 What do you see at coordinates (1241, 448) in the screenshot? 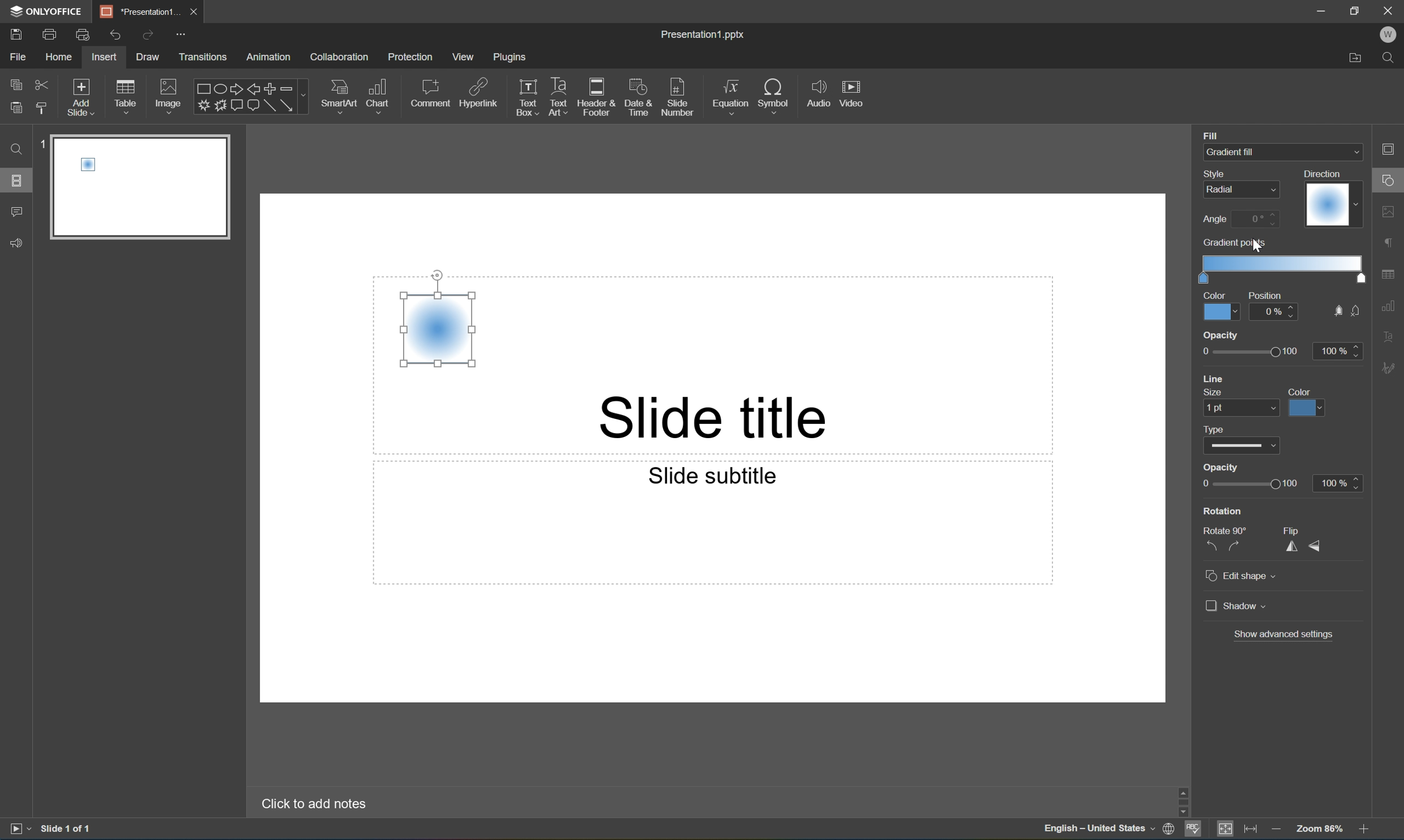
I see `Type` at bounding box center [1241, 448].